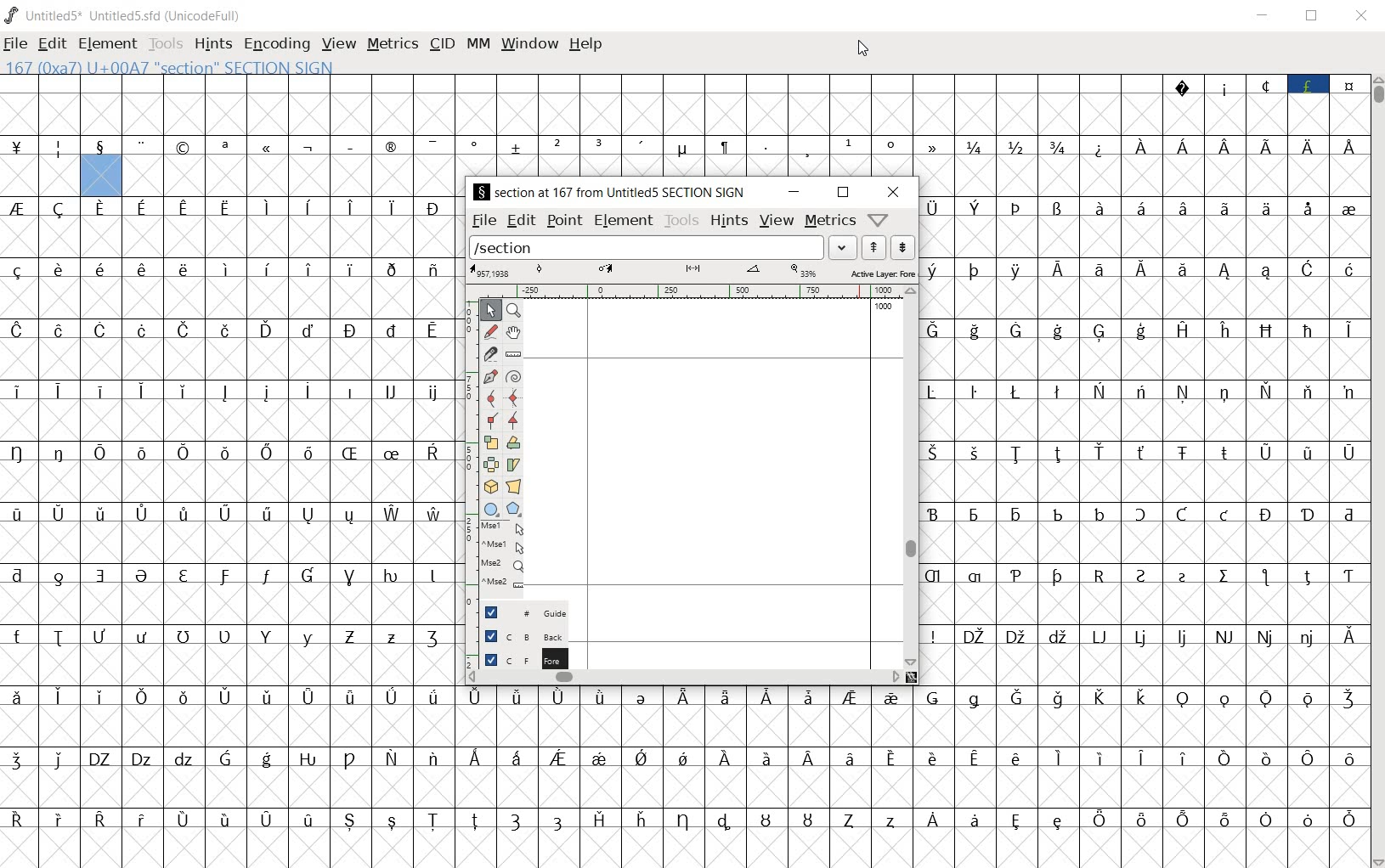  I want to click on tools, so click(683, 221).